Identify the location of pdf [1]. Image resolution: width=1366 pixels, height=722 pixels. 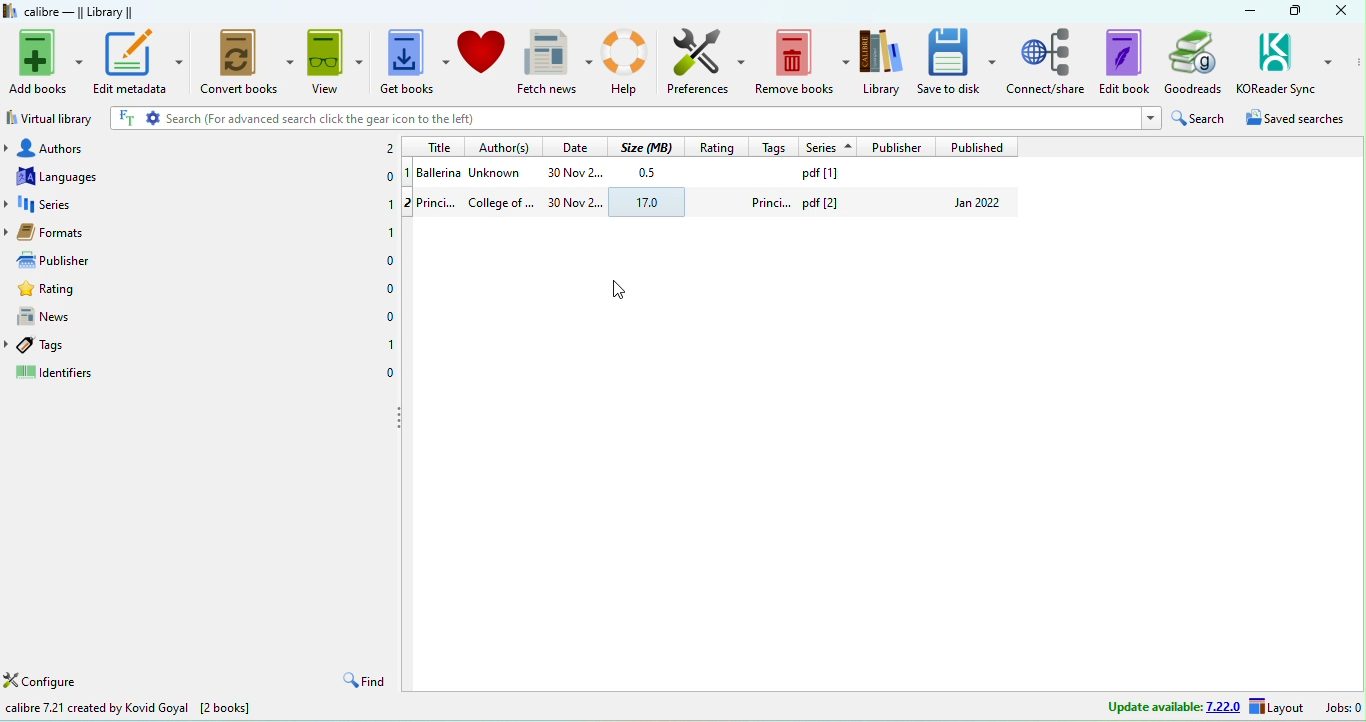
(860, 171).